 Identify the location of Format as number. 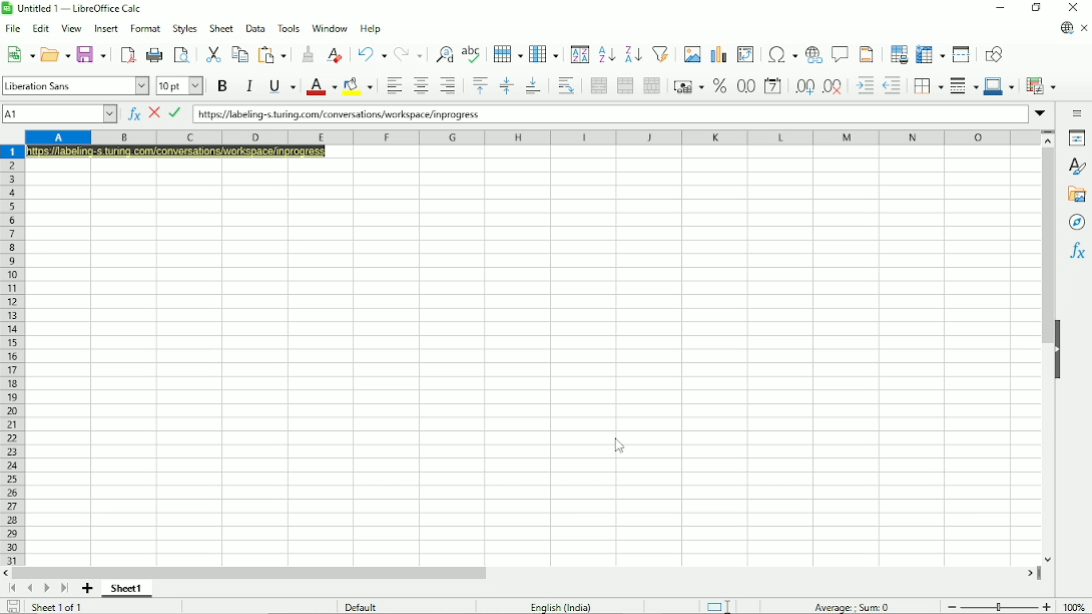
(719, 86).